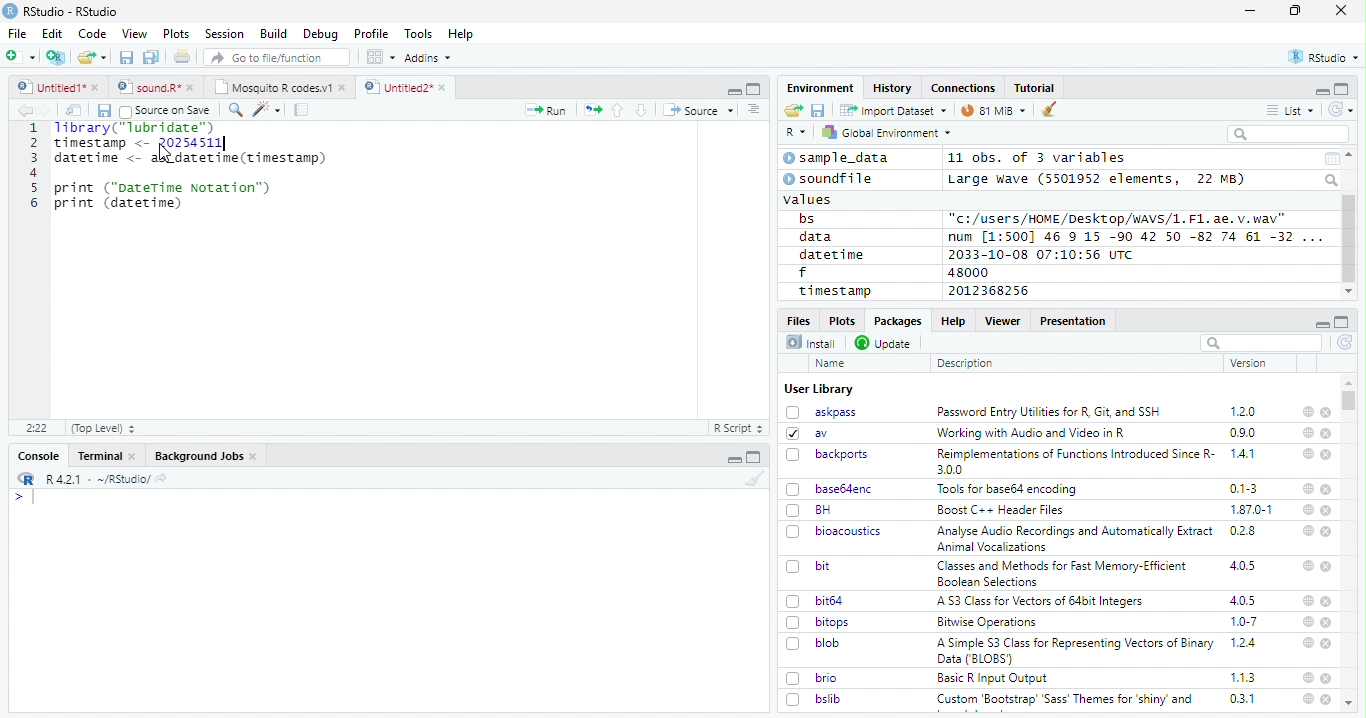 The width and height of the screenshot is (1366, 718). I want to click on Save the current document, so click(127, 58).